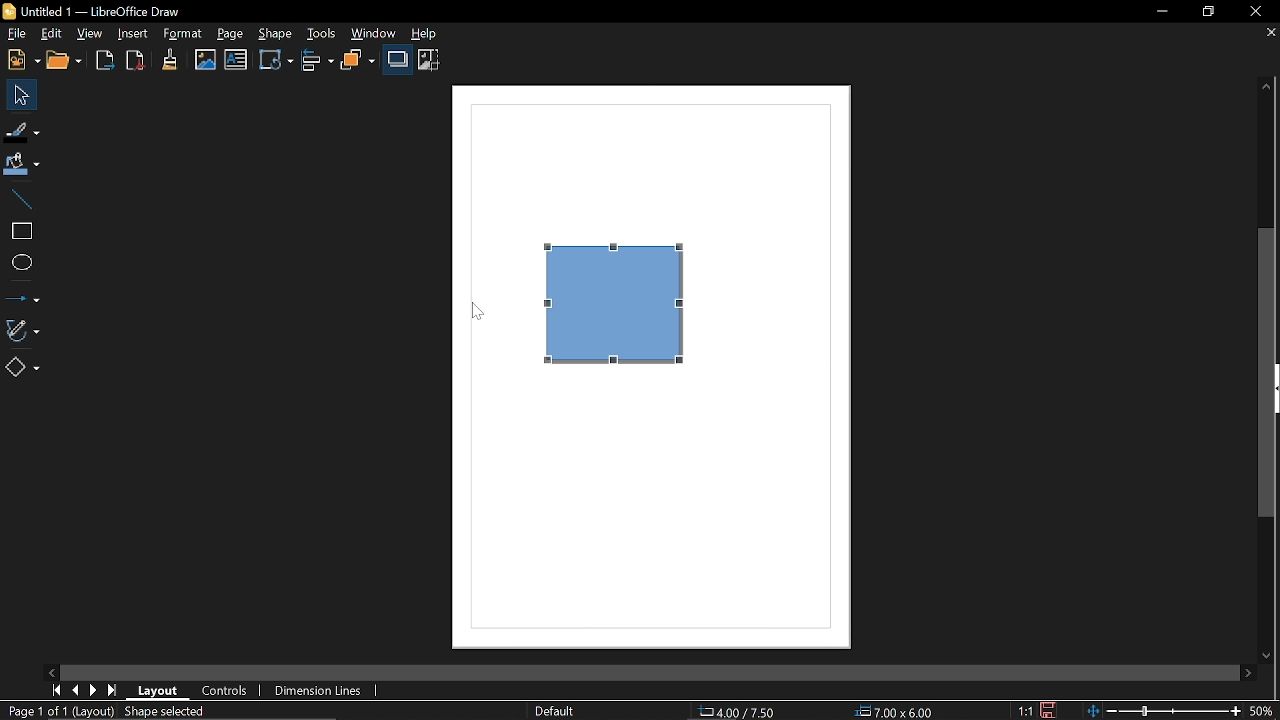 The width and height of the screenshot is (1280, 720). Describe the element at coordinates (478, 311) in the screenshot. I see `cursor` at that location.